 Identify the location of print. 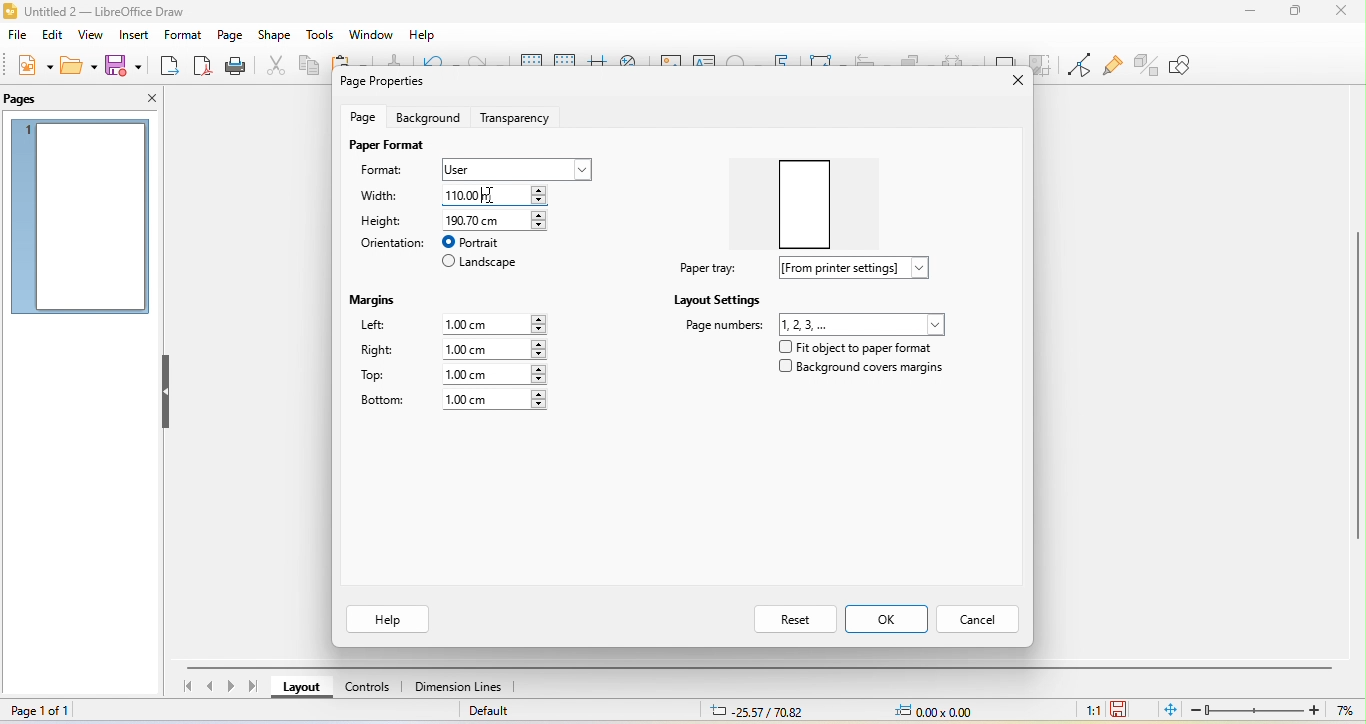
(234, 67).